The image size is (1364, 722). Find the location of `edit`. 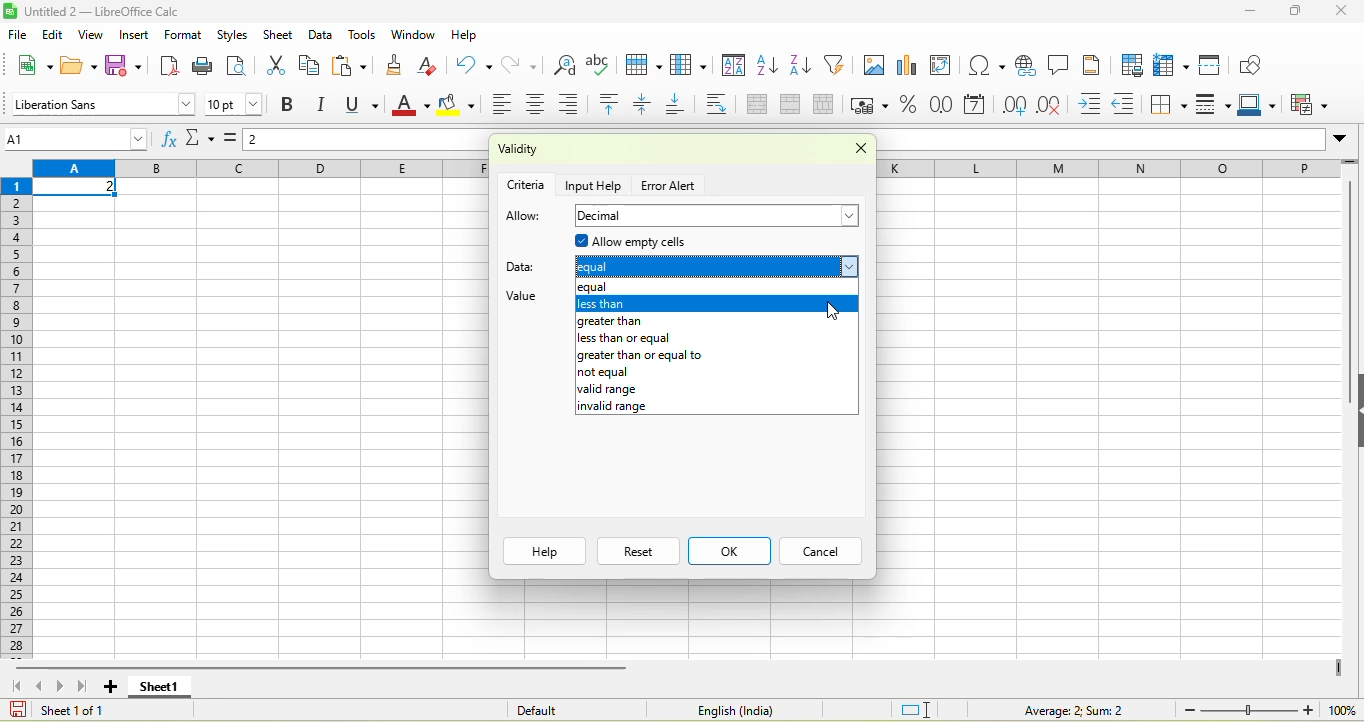

edit is located at coordinates (53, 34).